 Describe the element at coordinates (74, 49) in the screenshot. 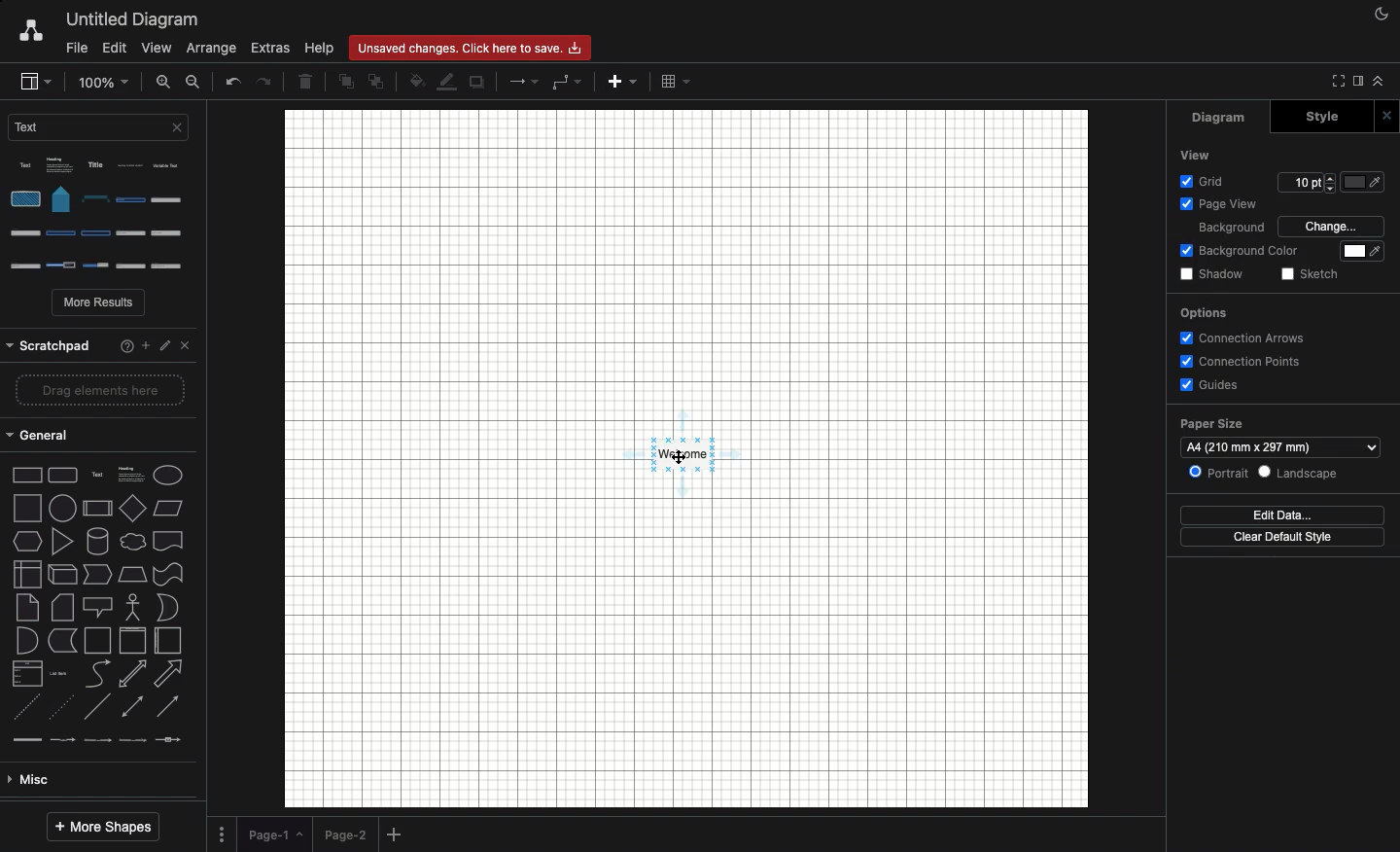

I see `File` at that location.